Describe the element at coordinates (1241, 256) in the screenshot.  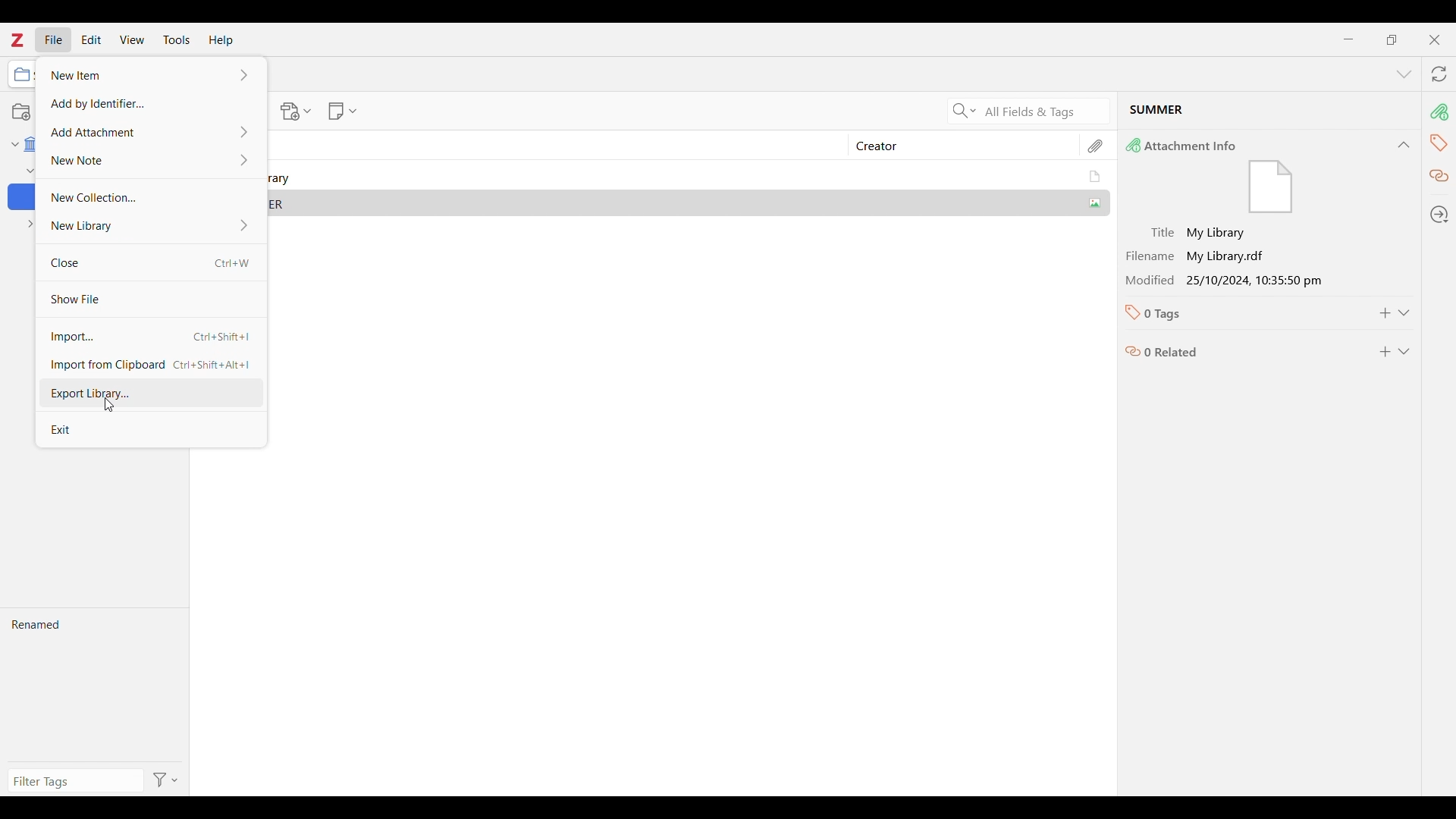
I see `Filename : My library.rdf` at that location.